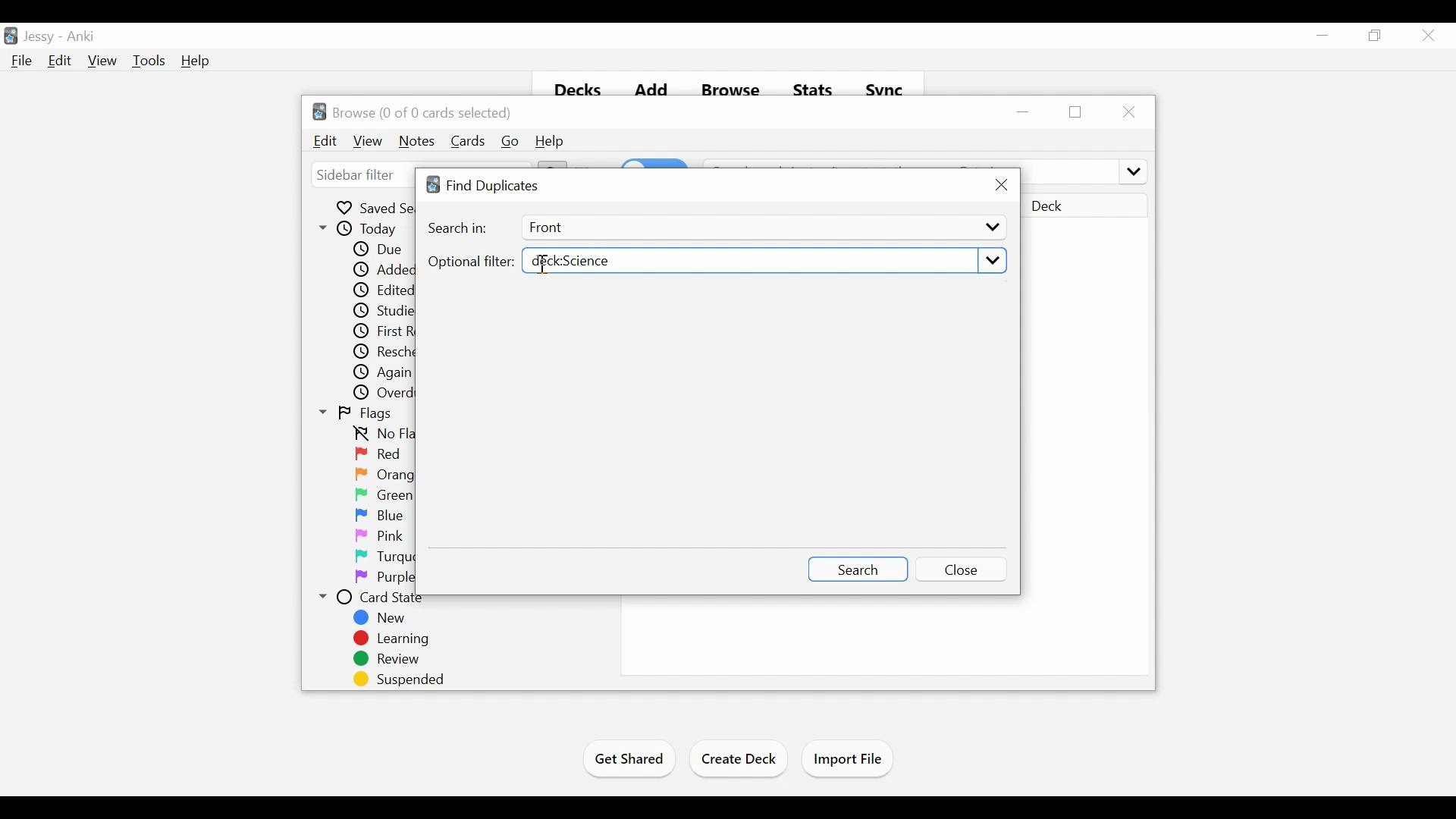  I want to click on Close, so click(1127, 111).